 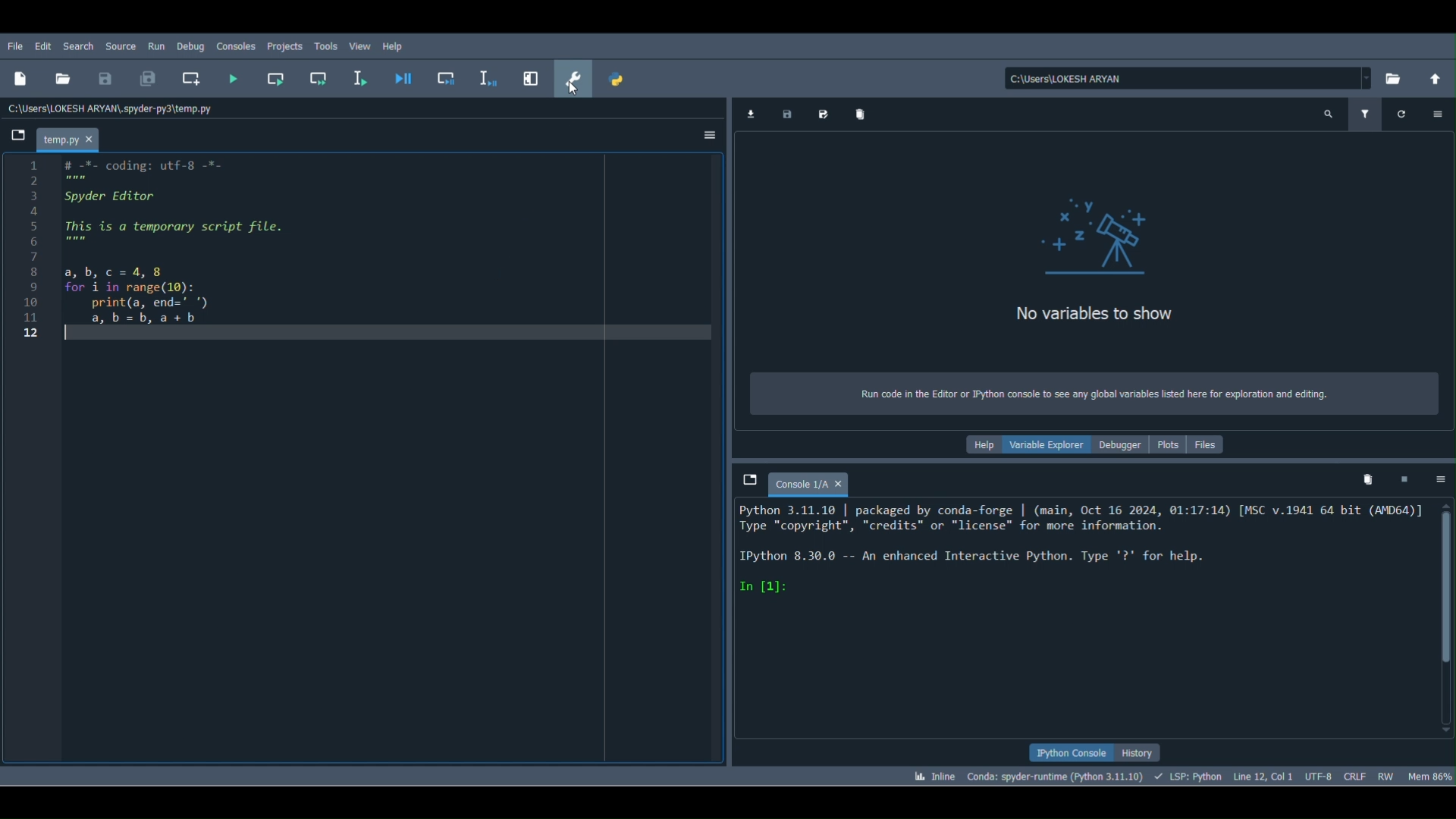 What do you see at coordinates (711, 134) in the screenshot?
I see `Options` at bounding box center [711, 134].